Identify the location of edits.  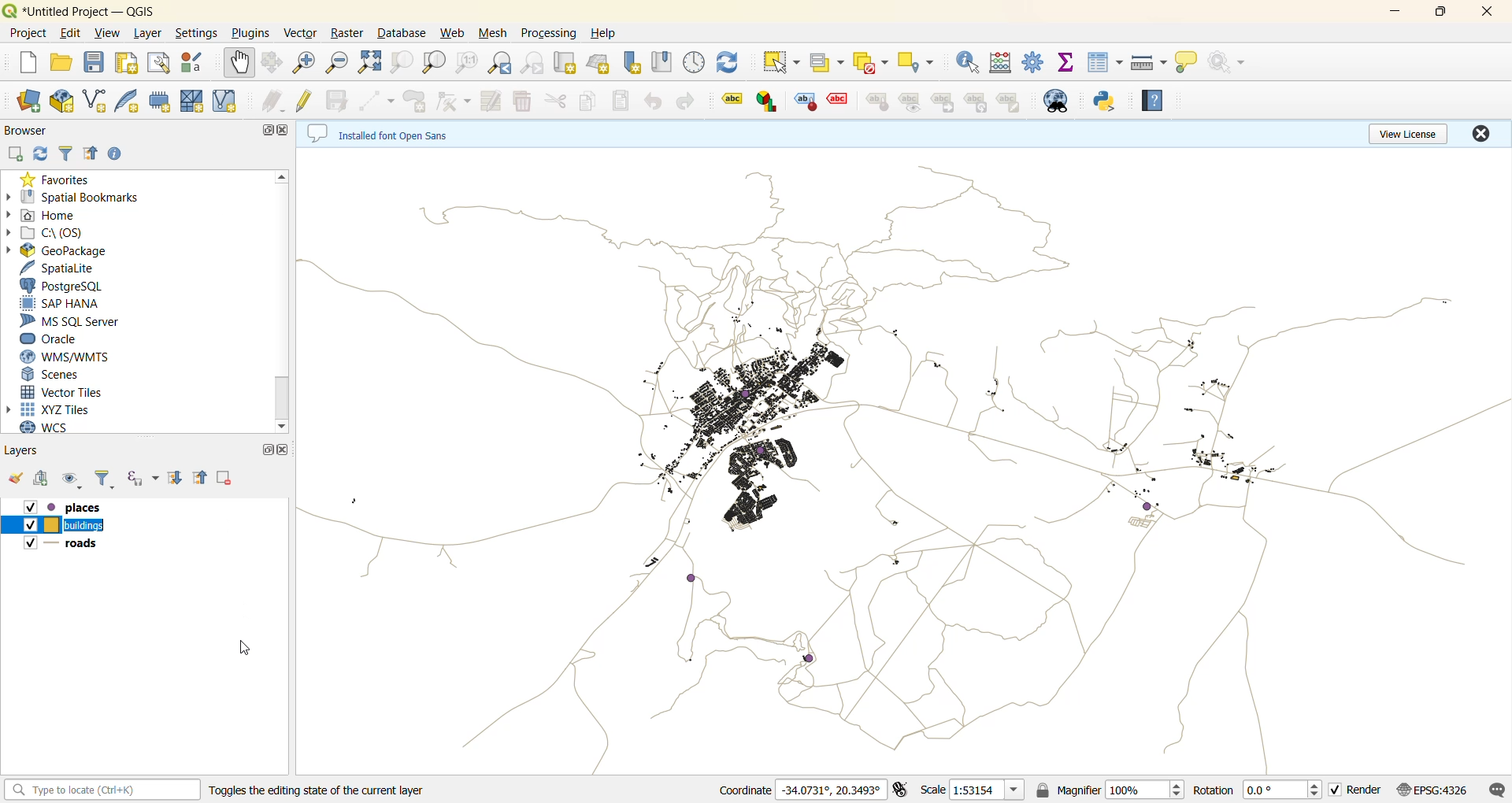
(276, 102).